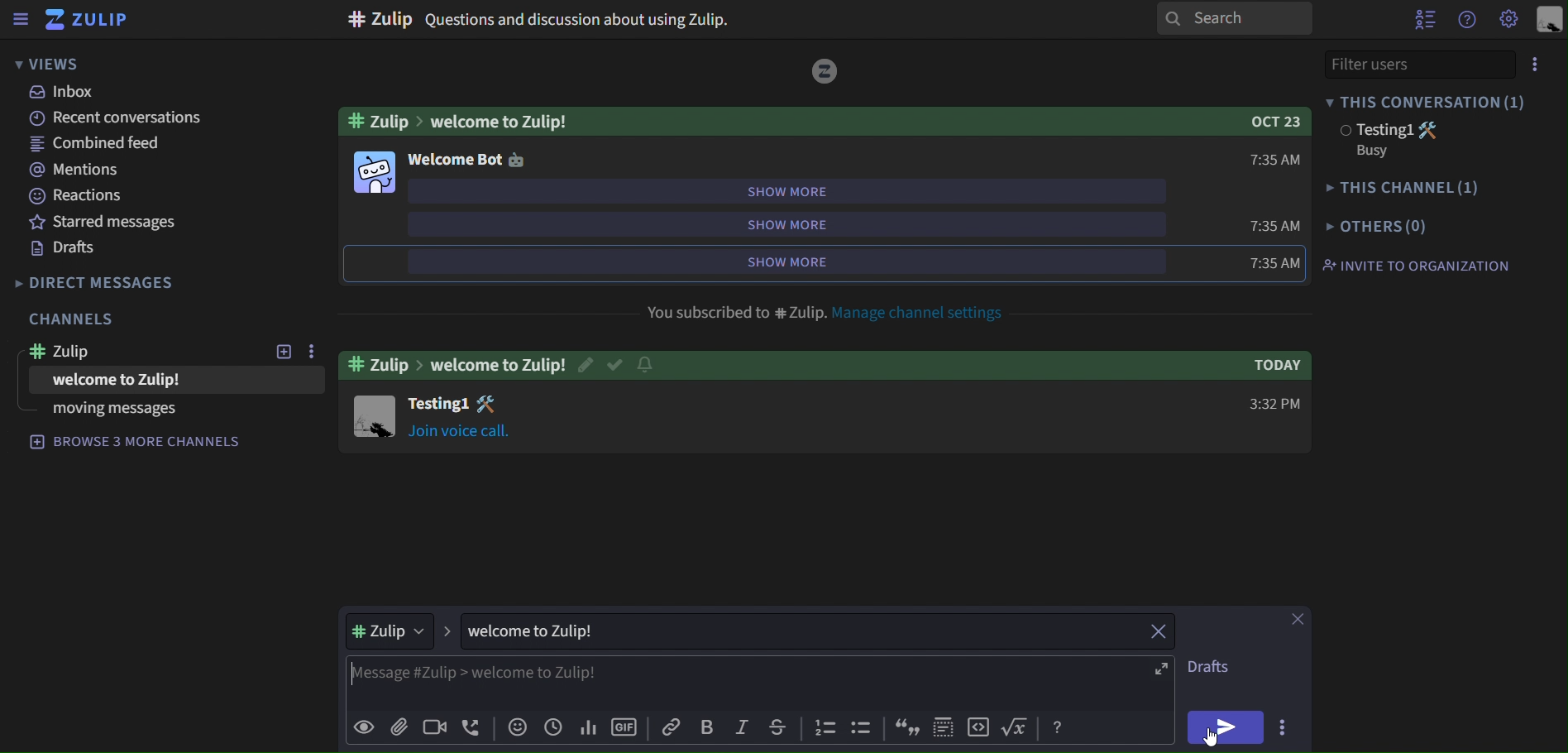 The width and height of the screenshot is (1568, 753). What do you see at coordinates (944, 727) in the screenshot?
I see `icon` at bounding box center [944, 727].